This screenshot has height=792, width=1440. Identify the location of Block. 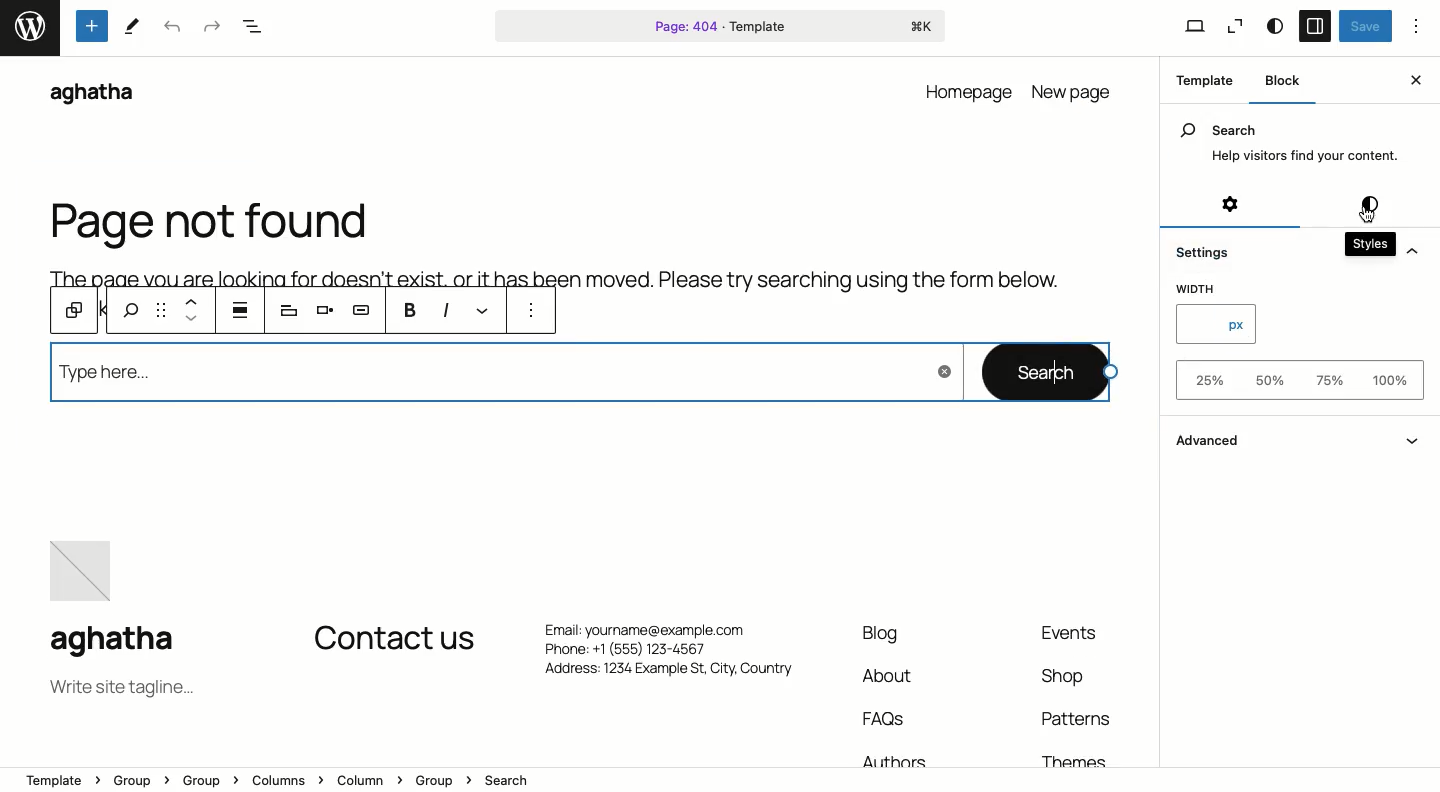
(76, 309).